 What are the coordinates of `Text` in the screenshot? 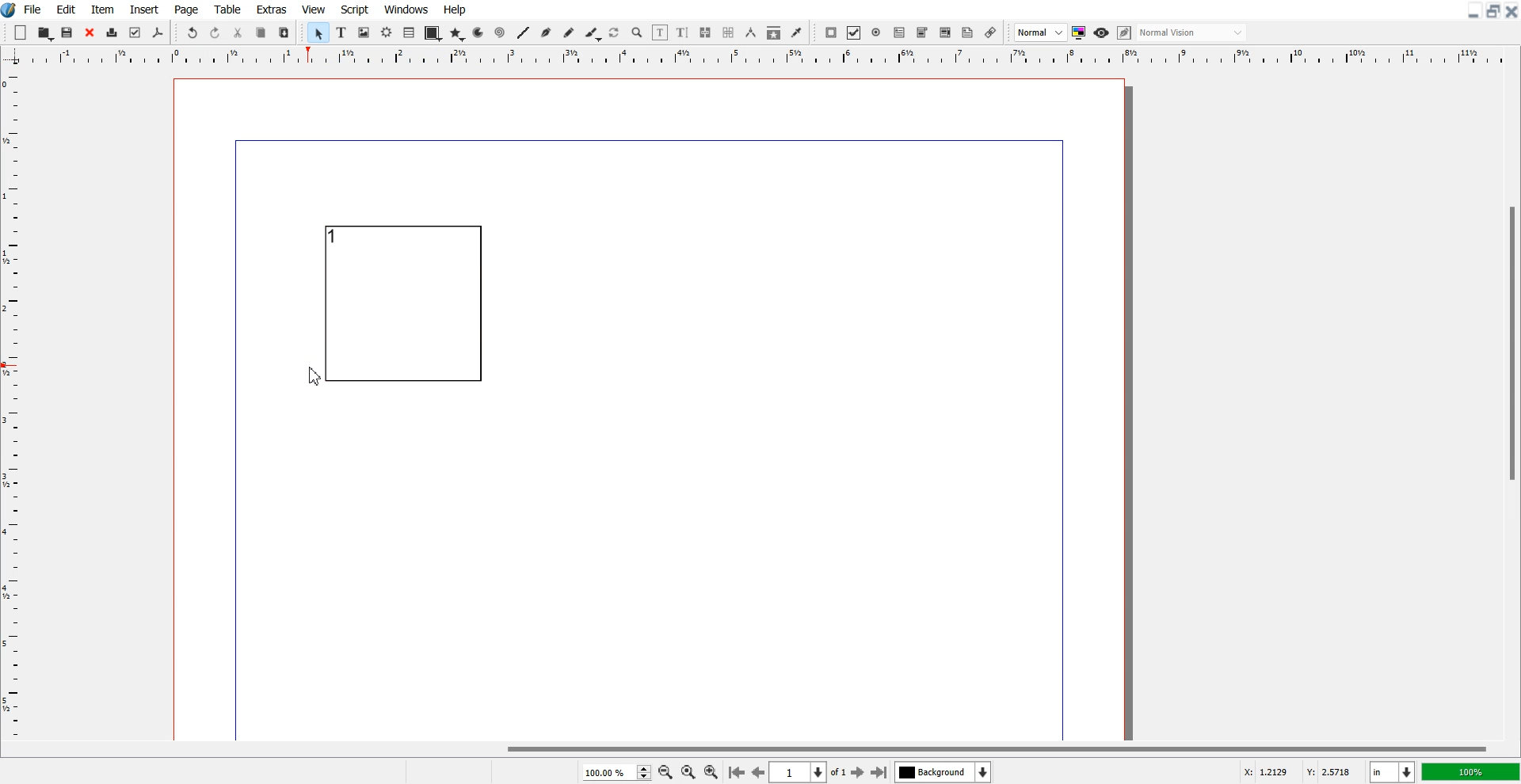 It's located at (109, 773).